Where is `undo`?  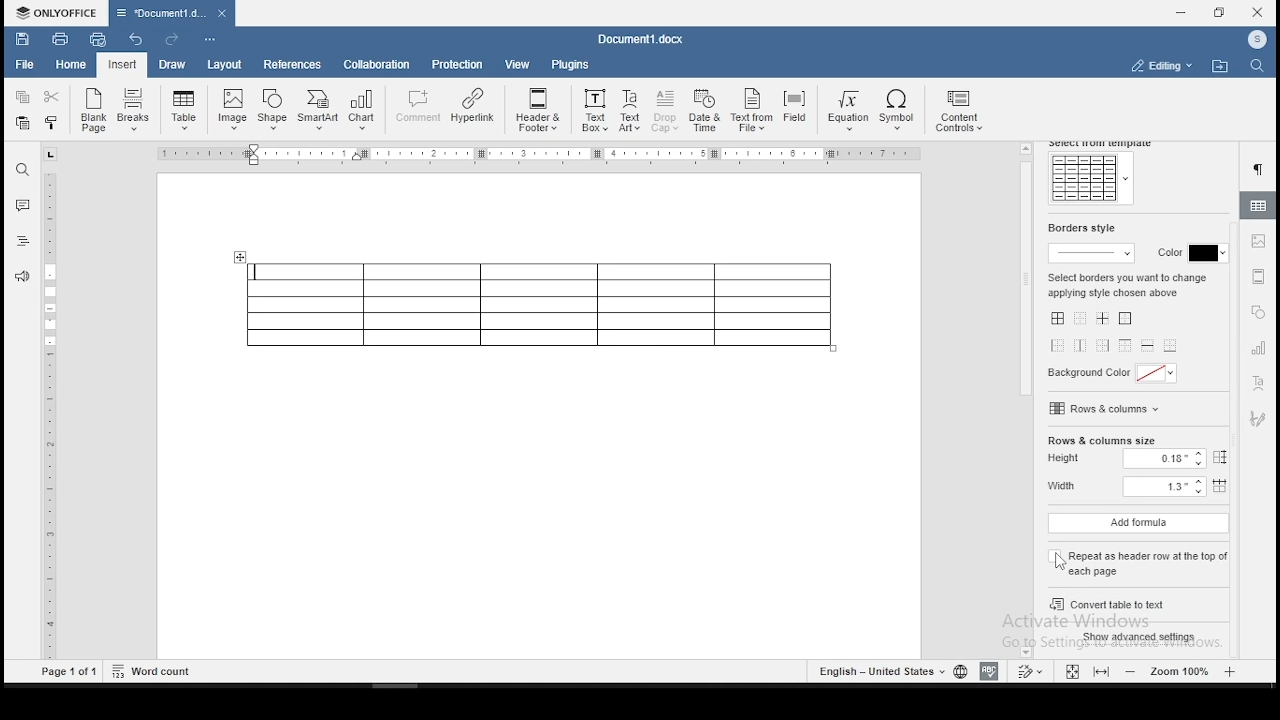 undo is located at coordinates (139, 41).